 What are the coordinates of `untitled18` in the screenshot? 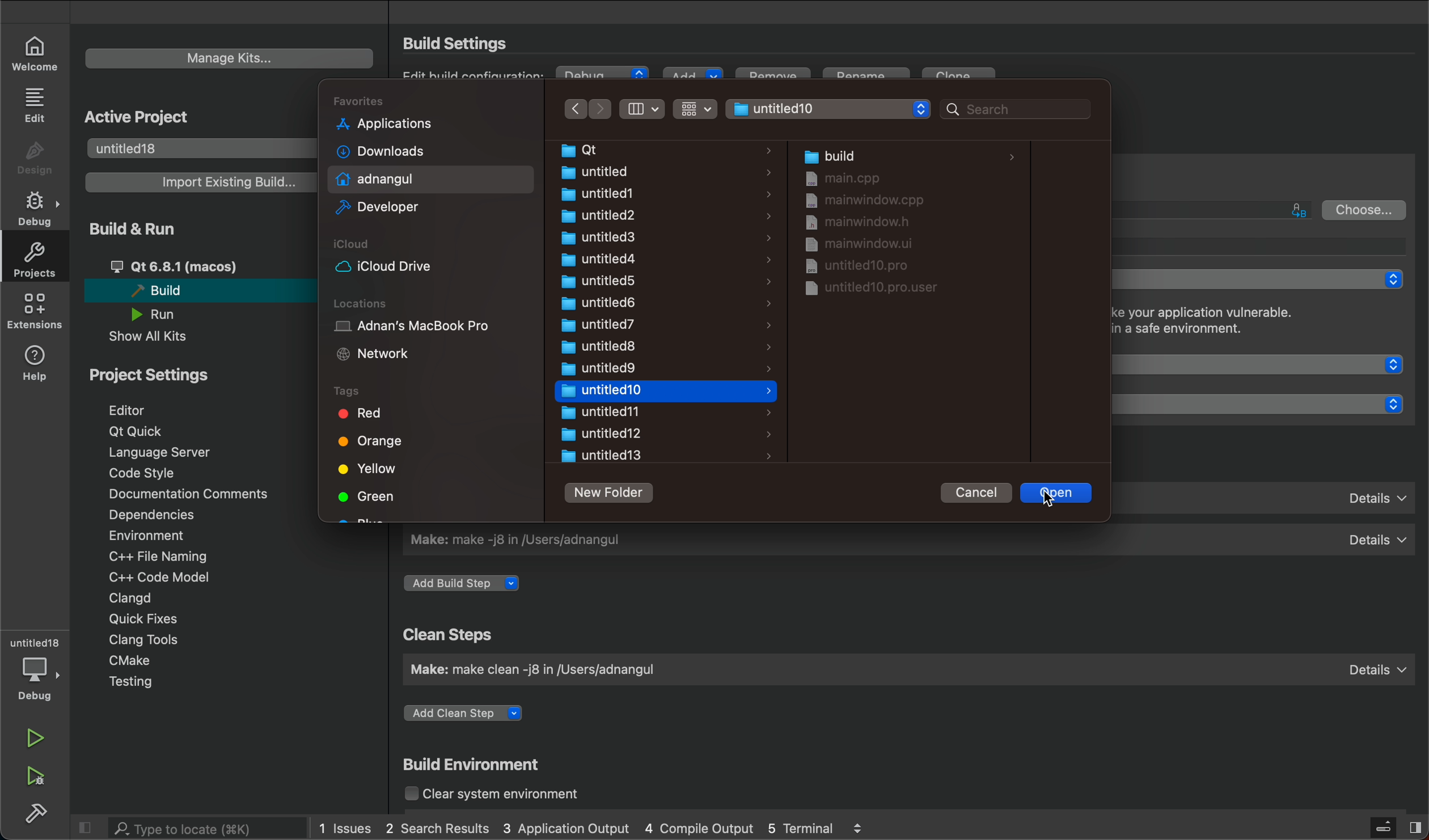 It's located at (198, 147).